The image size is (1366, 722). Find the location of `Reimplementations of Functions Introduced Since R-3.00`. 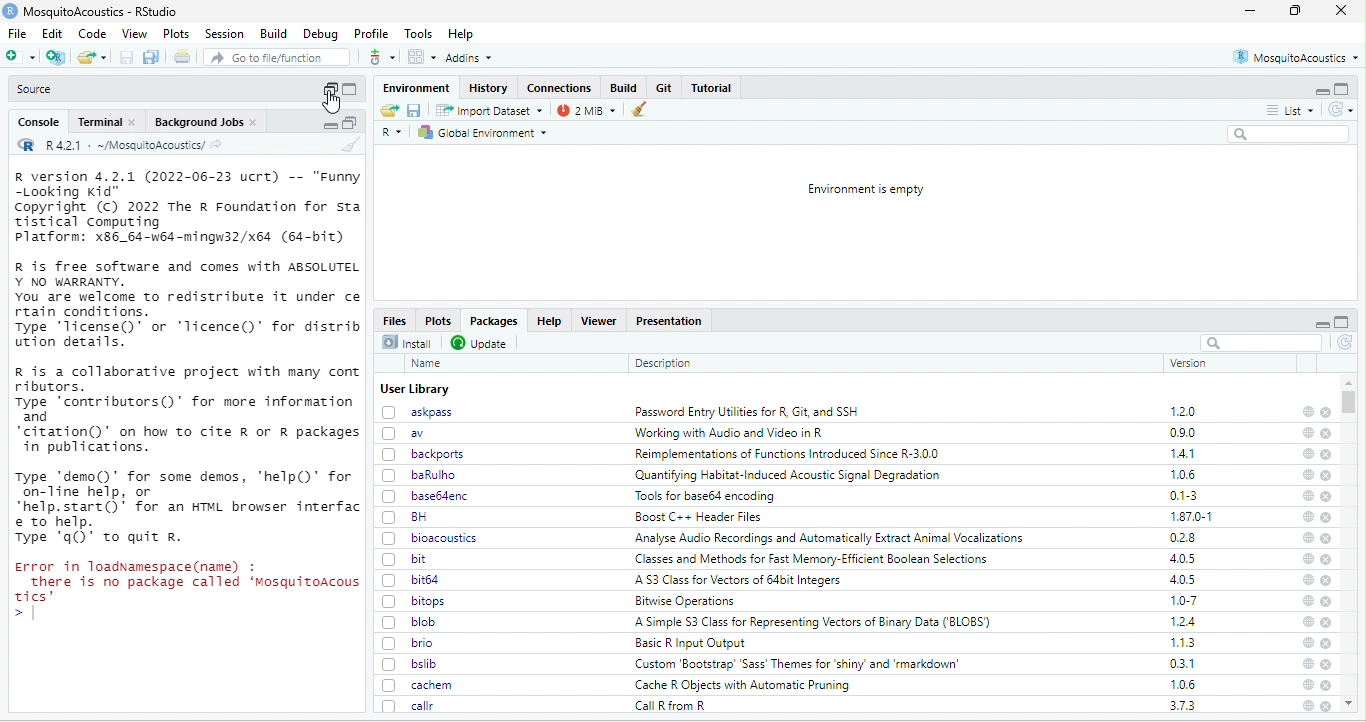

Reimplementations of Functions Introduced Since R-3.00 is located at coordinates (789, 455).